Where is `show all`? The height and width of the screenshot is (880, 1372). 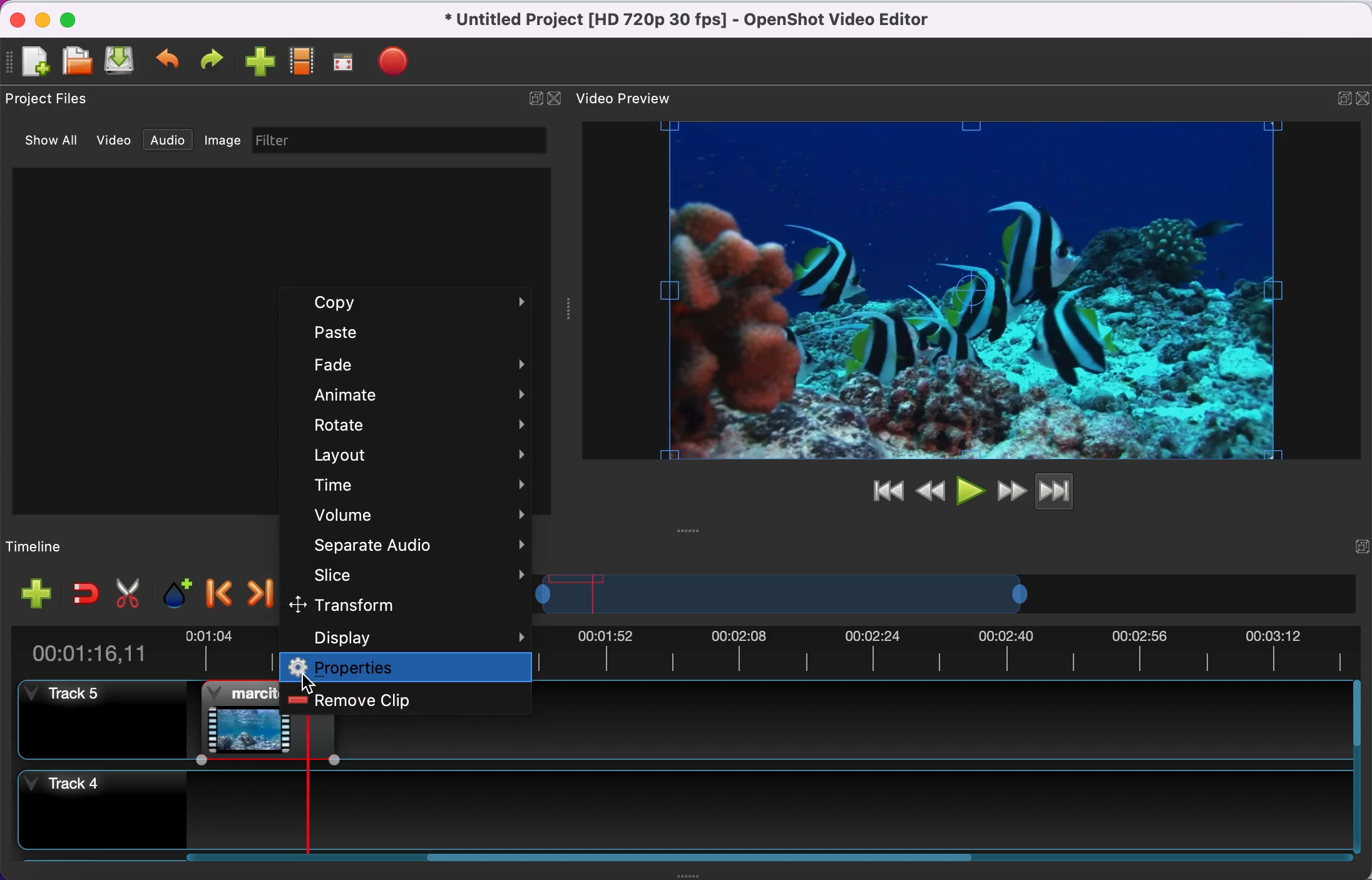 show all is located at coordinates (42, 140).